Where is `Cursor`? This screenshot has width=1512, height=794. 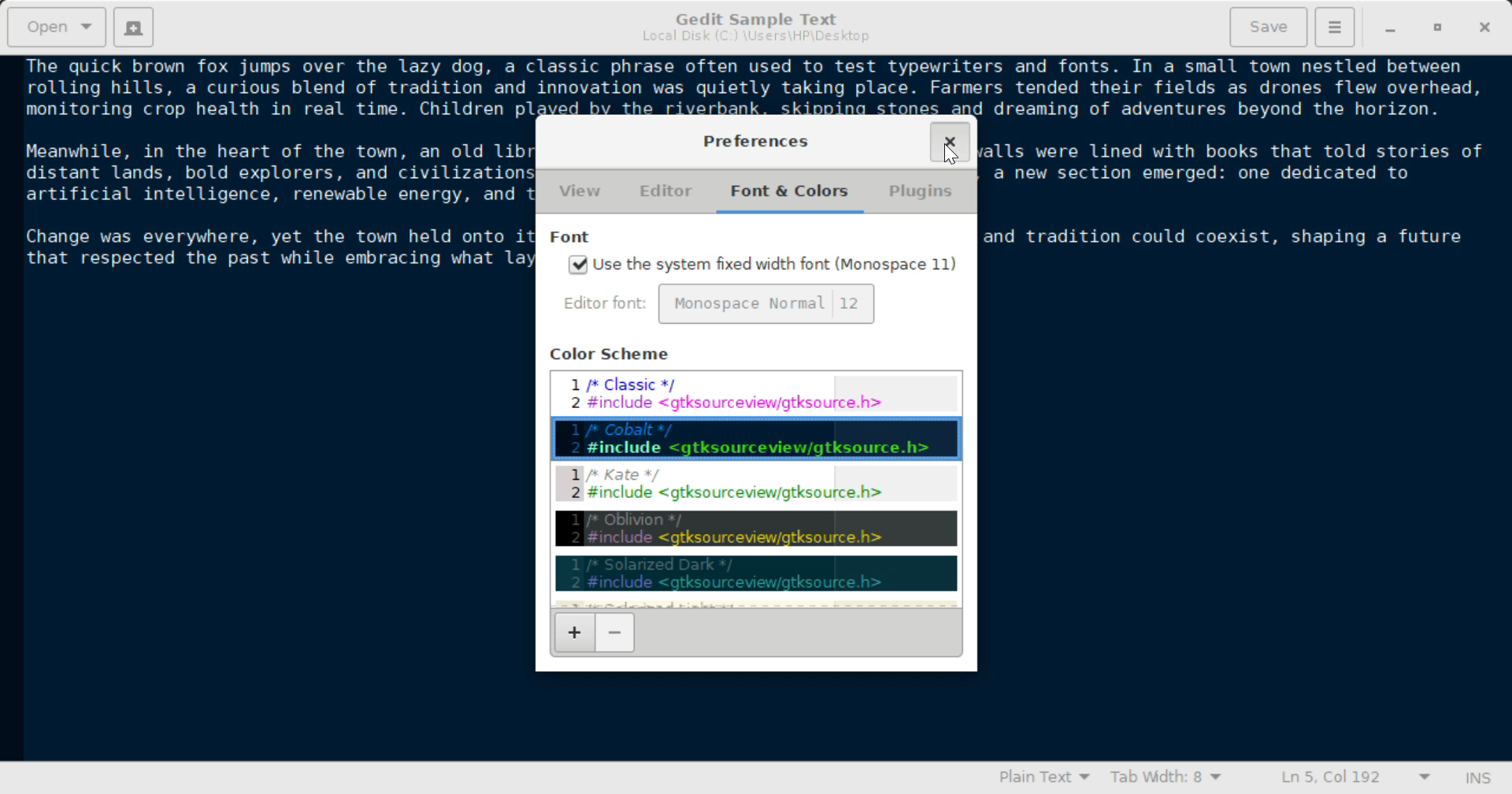
Cursor is located at coordinates (950, 153).